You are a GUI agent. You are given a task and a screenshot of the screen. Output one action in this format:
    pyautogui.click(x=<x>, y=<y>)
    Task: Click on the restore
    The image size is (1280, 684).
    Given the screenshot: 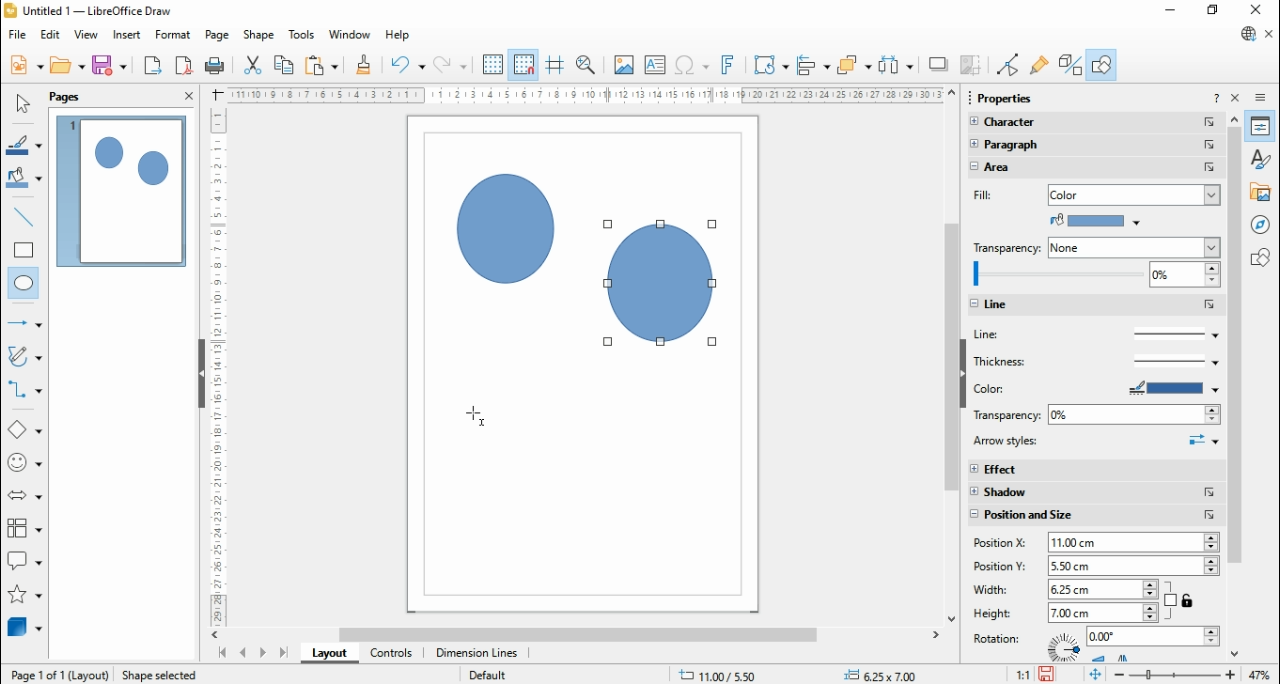 What is the action you would take?
    pyautogui.click(x=1214, y=11)
    